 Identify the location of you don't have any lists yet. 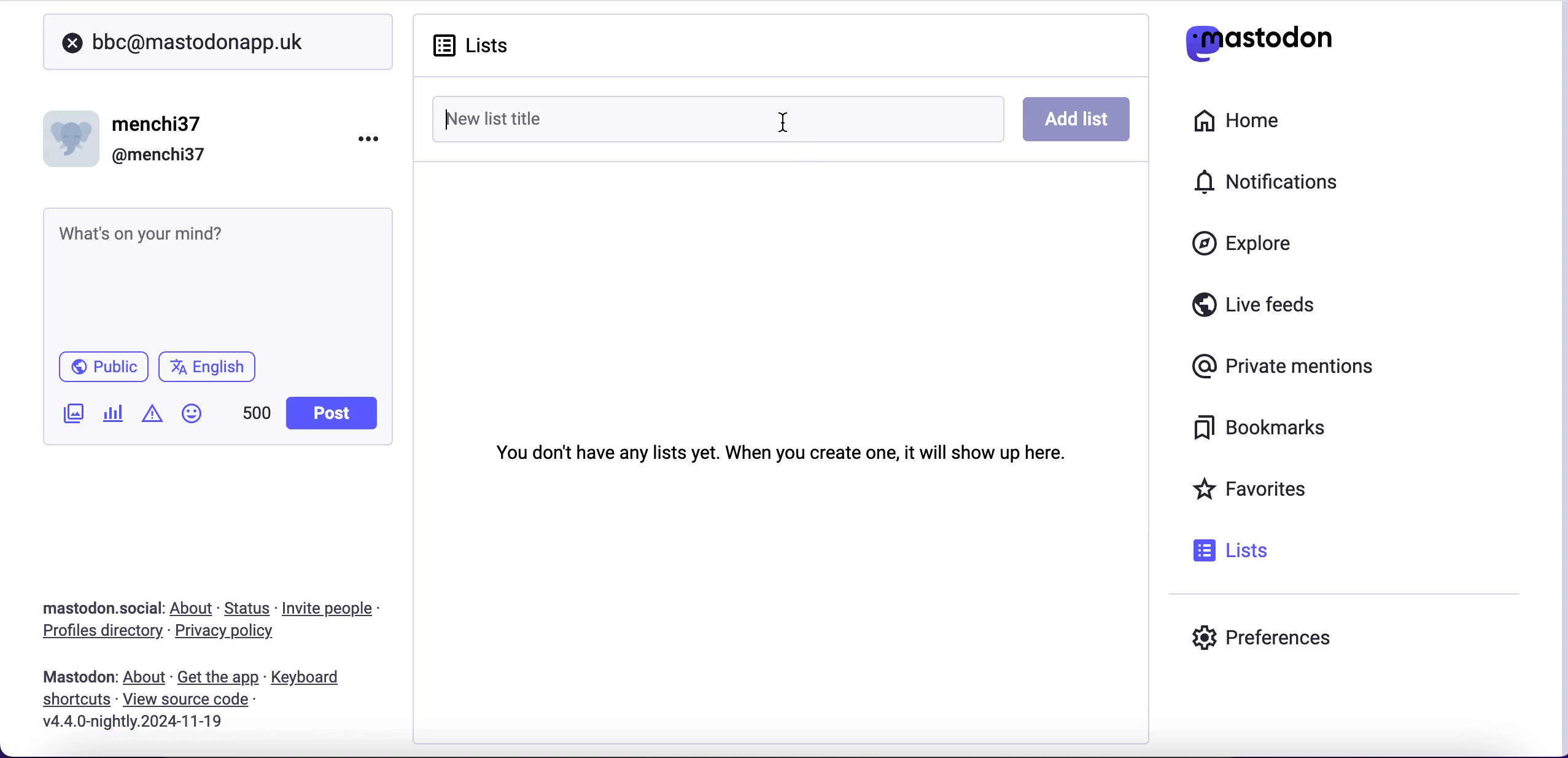
(780, 450).